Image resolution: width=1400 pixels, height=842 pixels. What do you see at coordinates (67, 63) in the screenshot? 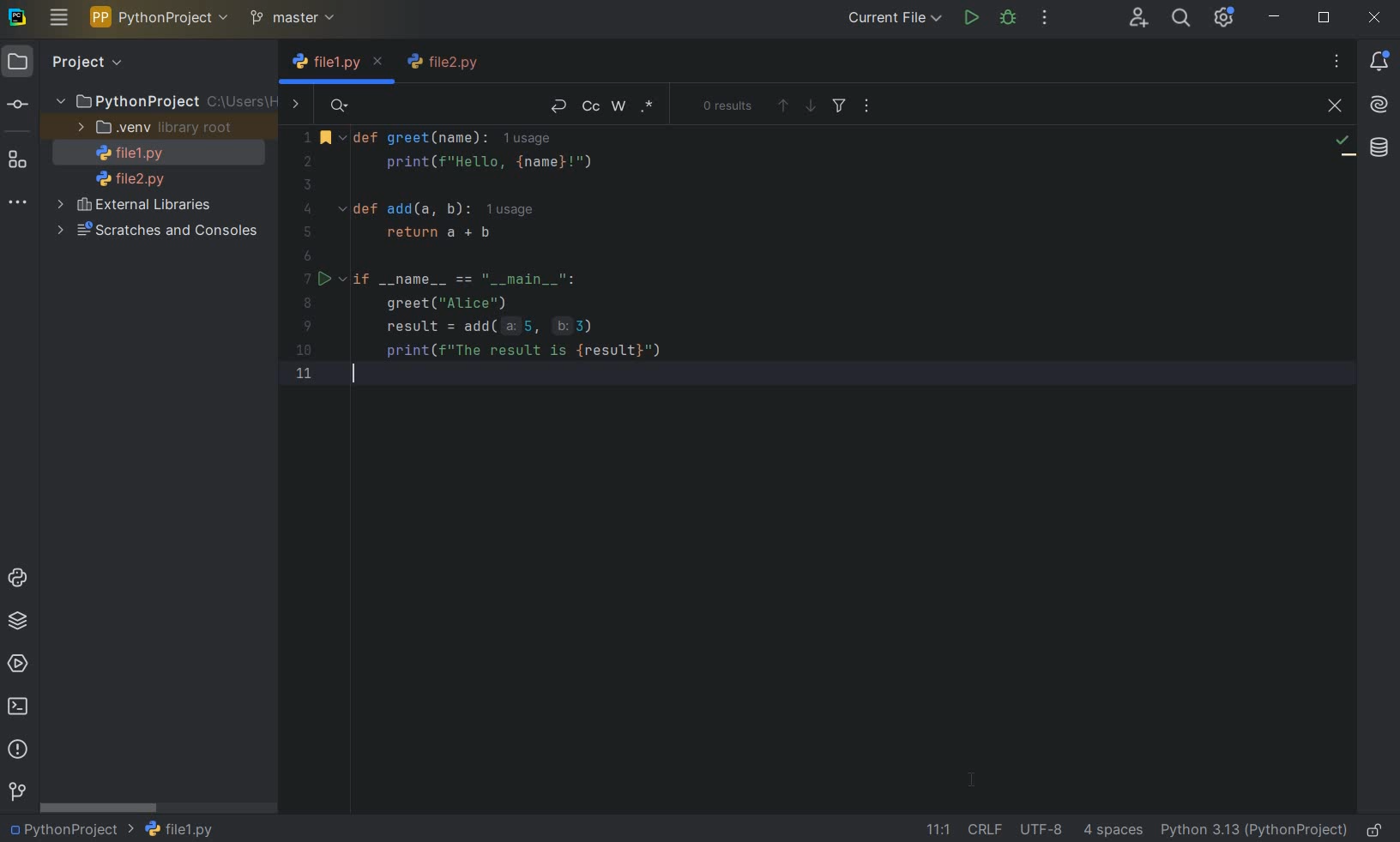
I see `PROJECT` at bounding box center [67, 63].